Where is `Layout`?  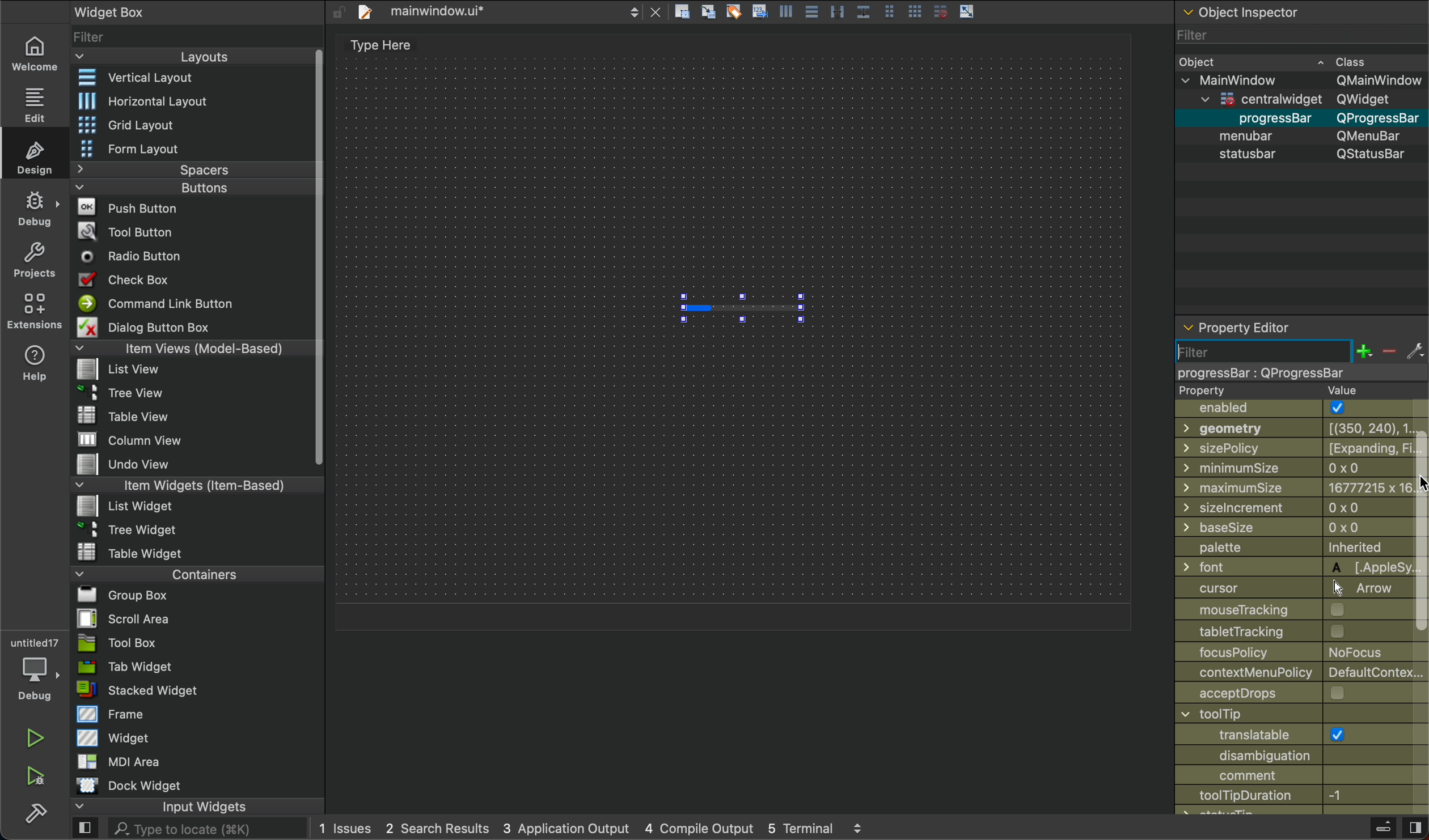 Layout is located at coordinates (183, 57).